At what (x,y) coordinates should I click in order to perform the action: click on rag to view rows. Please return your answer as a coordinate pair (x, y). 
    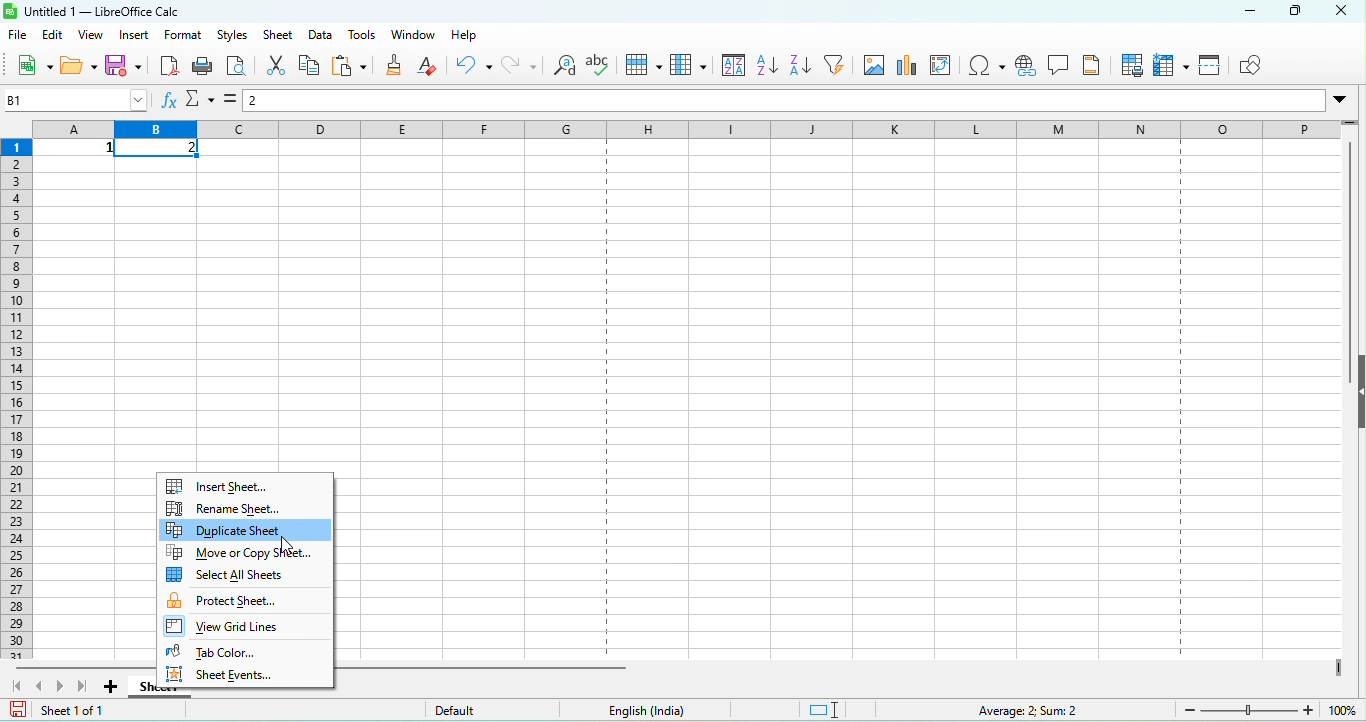
    Looking at the image, I should click on (1350, 128).